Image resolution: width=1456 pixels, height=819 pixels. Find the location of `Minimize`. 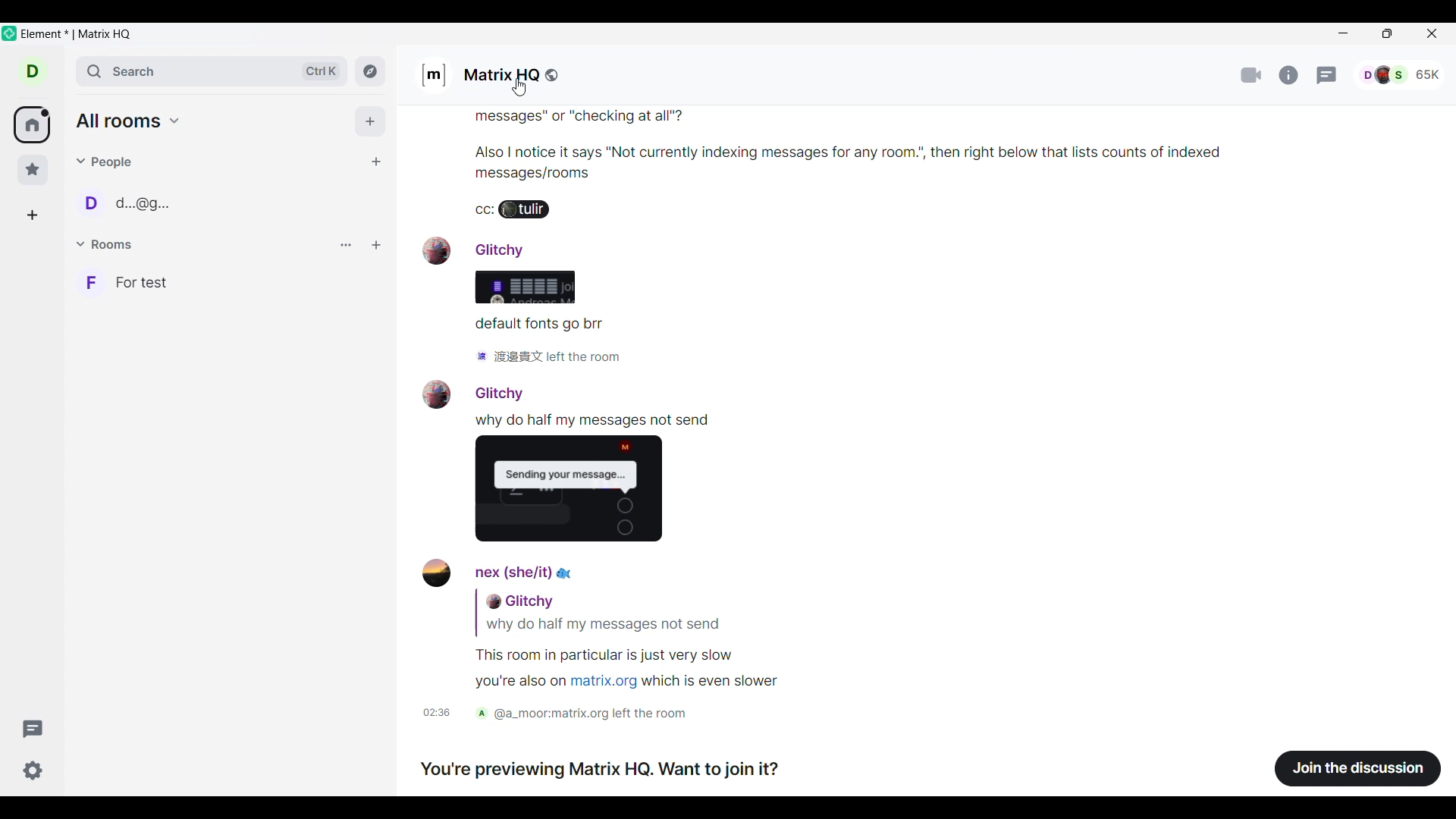

Minimize is located at coordinates (1345, 36).